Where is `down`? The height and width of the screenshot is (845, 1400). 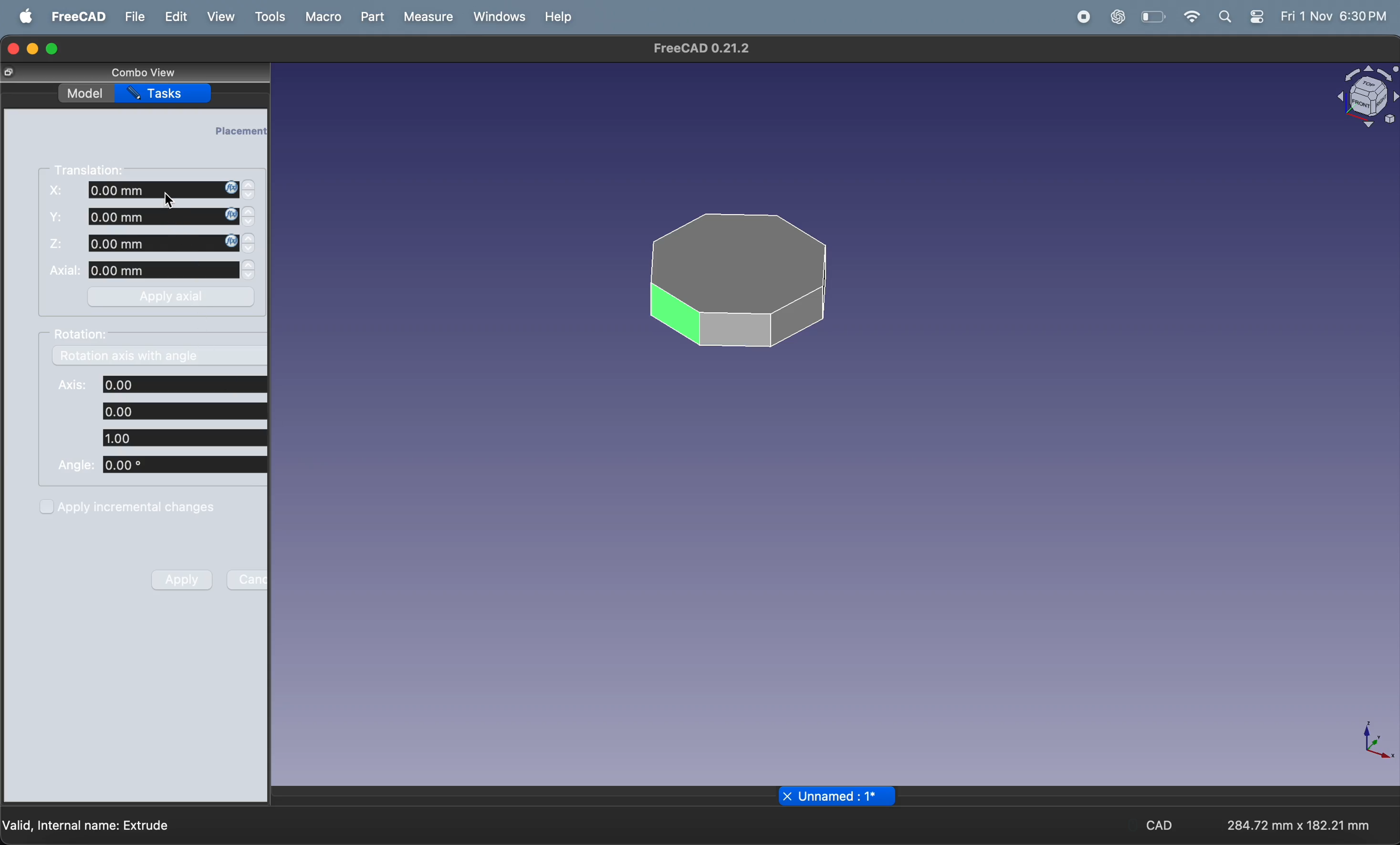 down is located at coordinates (250, 225).